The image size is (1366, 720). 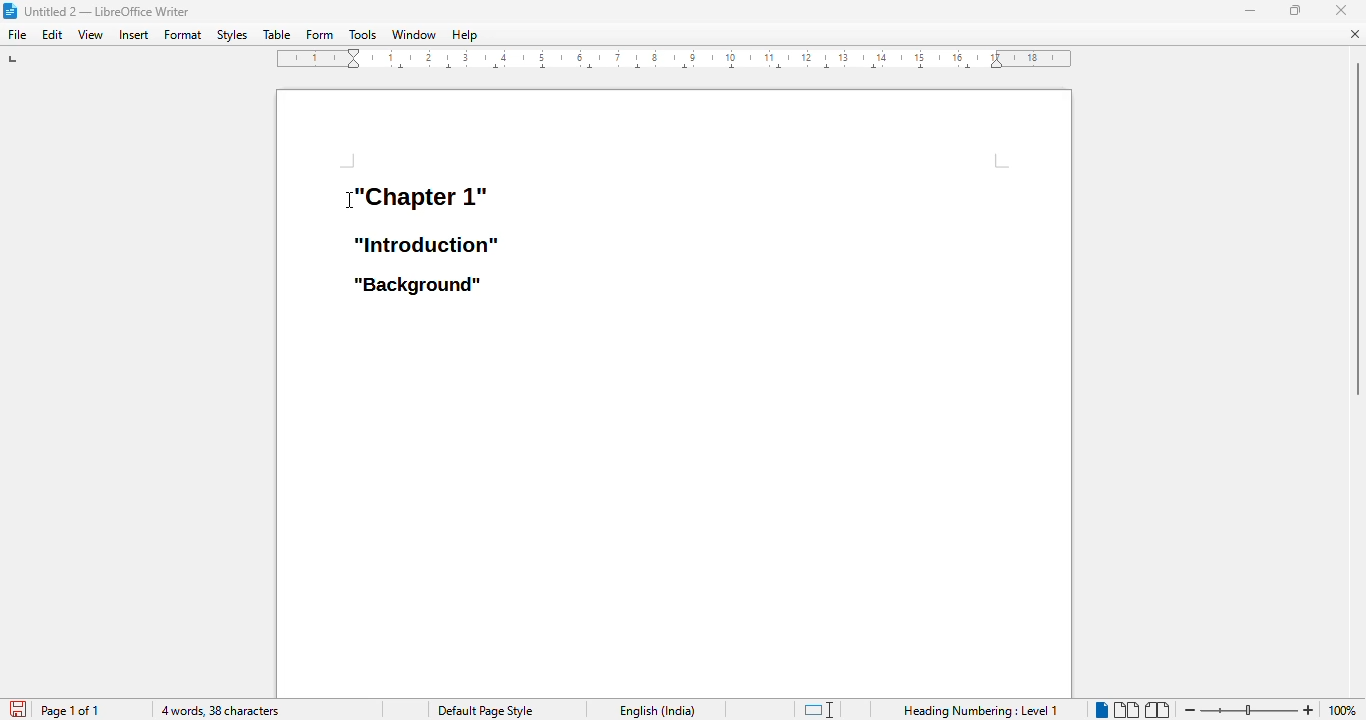 What do you see at coordinates (423, 194) in the screenshot?
I see `heading 1` at bounding box center [423, 194].